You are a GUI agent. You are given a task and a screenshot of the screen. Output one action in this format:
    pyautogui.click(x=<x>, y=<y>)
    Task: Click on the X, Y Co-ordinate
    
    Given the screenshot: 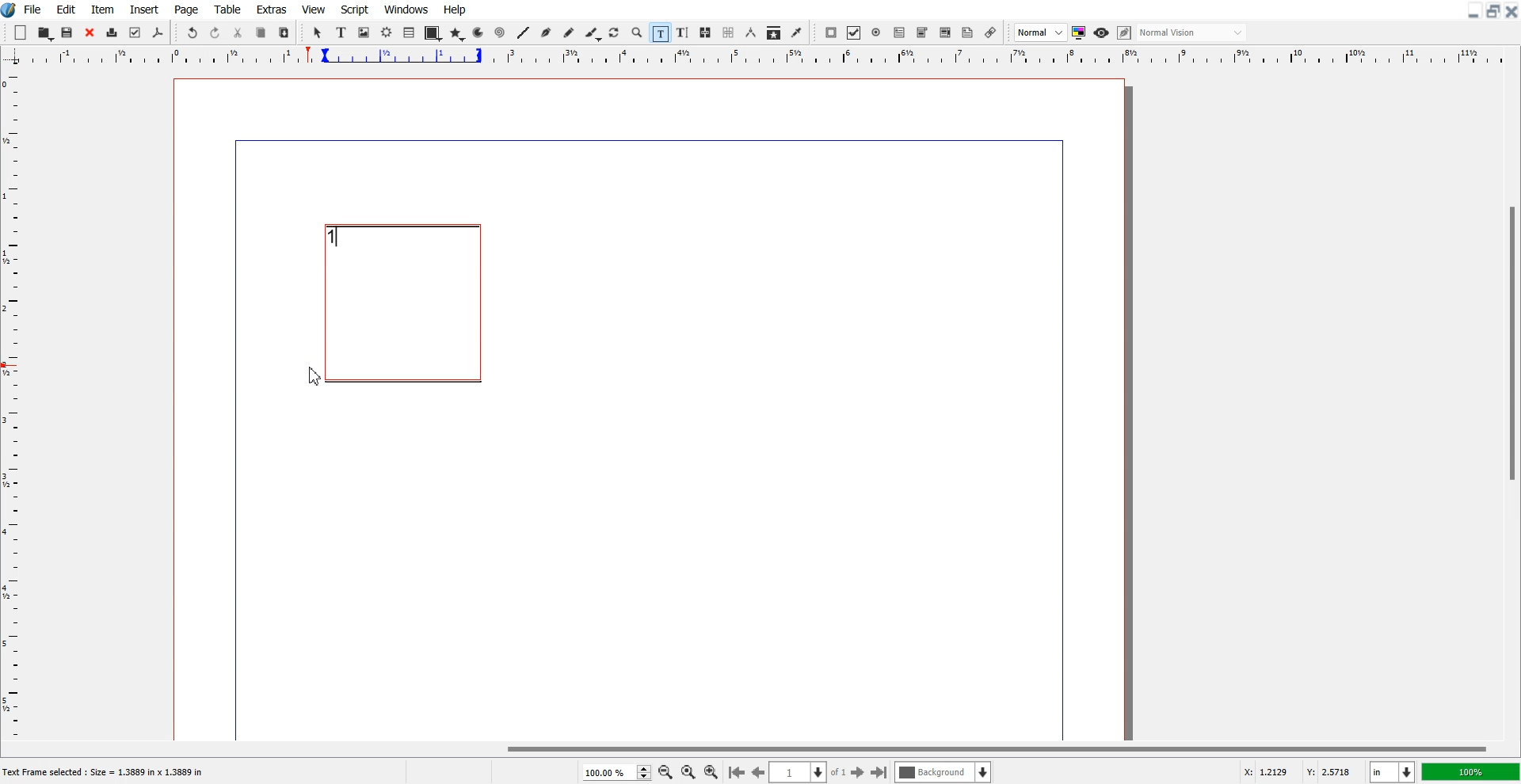 What is the action you would take?
    pyautogui.click(x=1298, y=773)
    